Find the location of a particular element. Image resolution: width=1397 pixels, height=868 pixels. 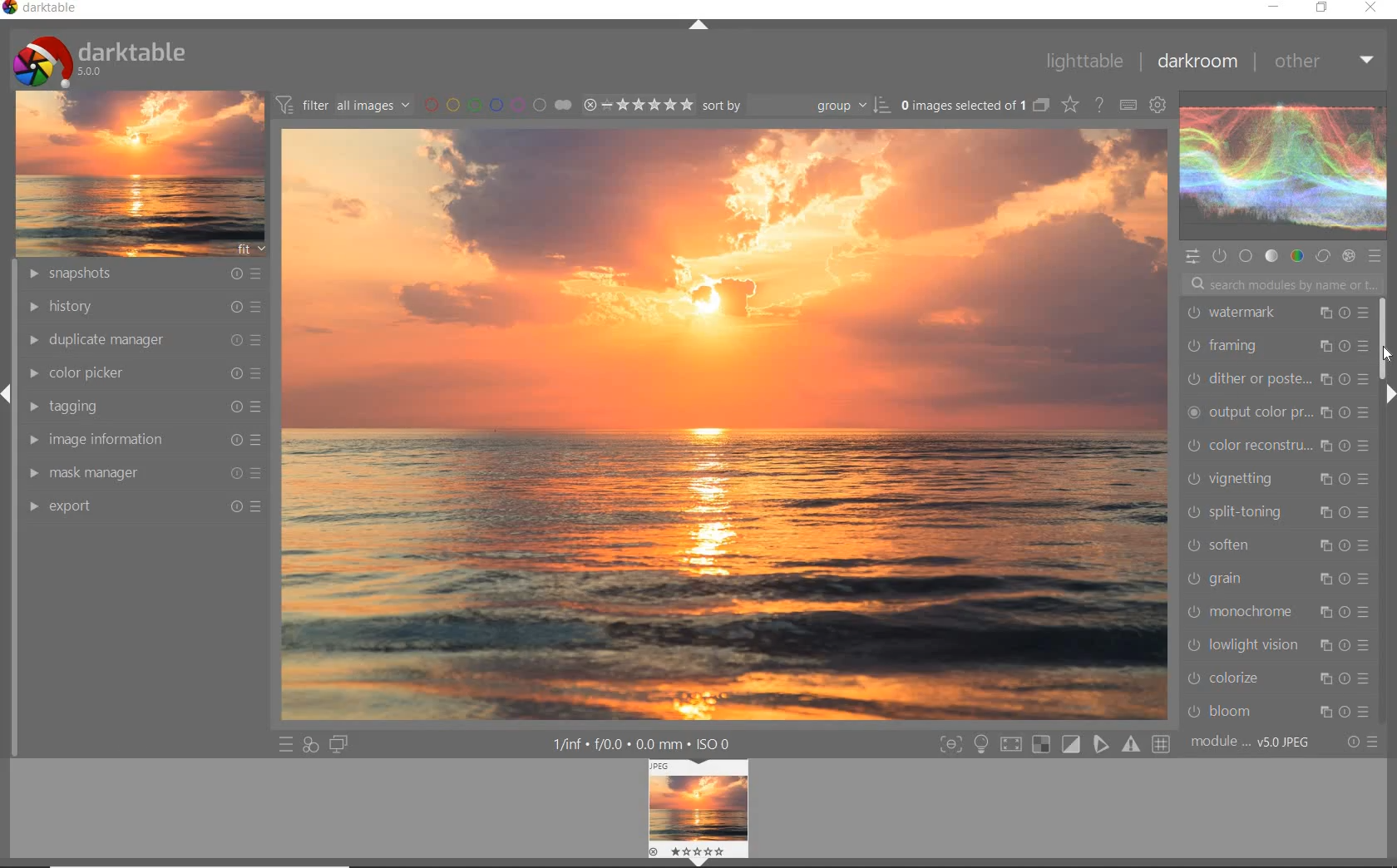

define keyboard shortcut is located at coordinates (1127, 104).